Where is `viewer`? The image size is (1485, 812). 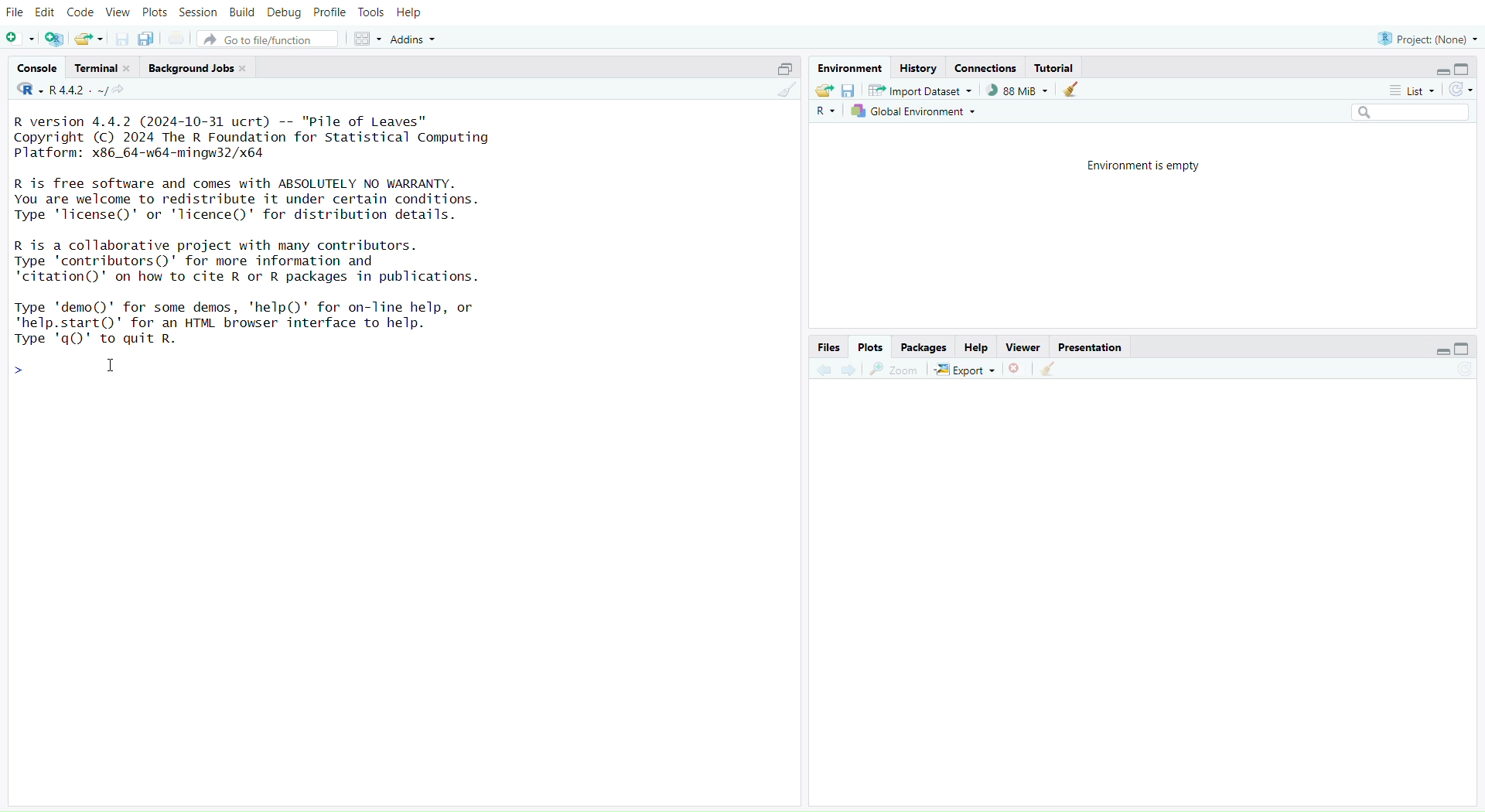 viewer is located at coordinates (1025, 346).